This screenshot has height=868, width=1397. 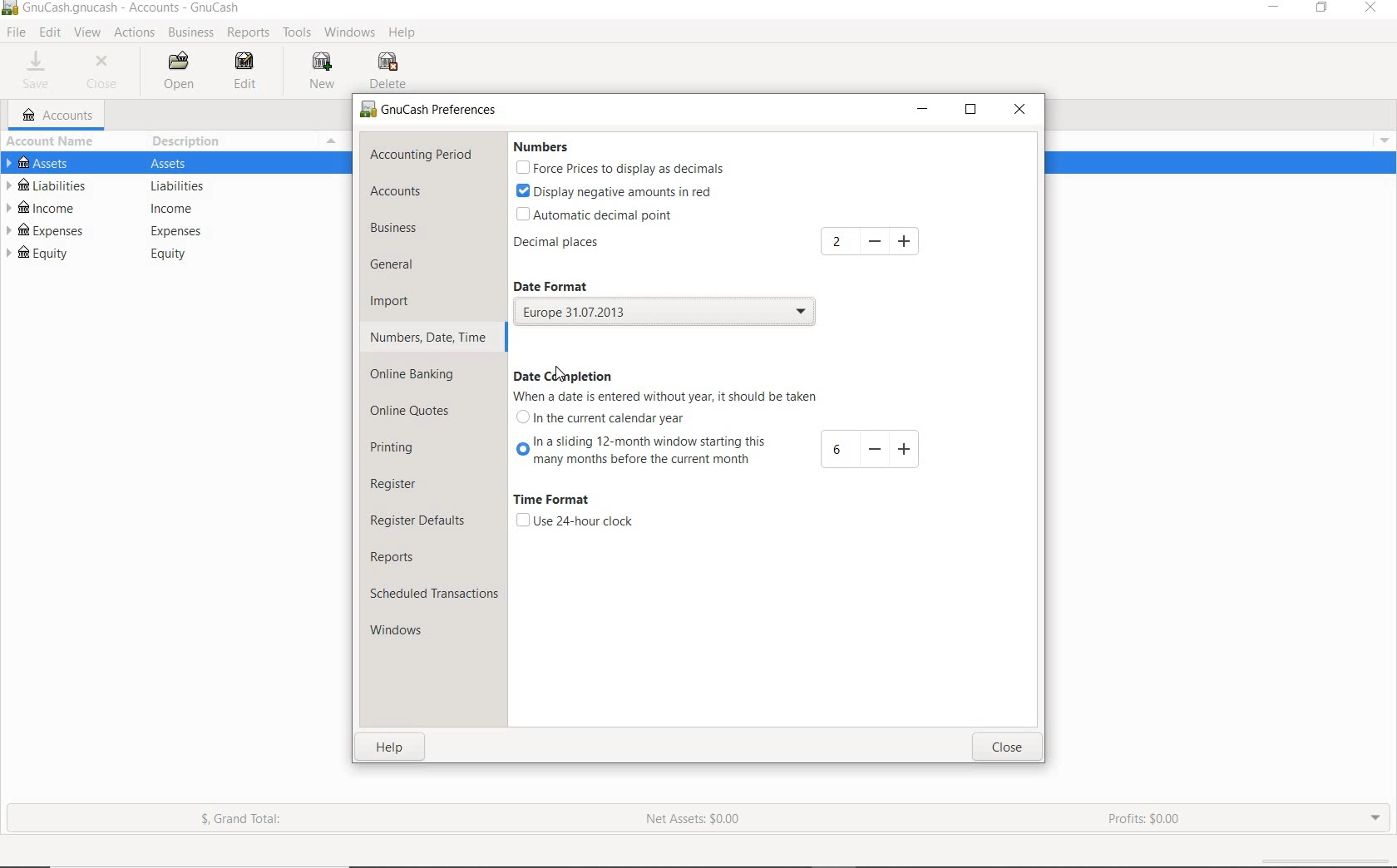 I want to click on WINDOWS, so click(x=353, y=32).